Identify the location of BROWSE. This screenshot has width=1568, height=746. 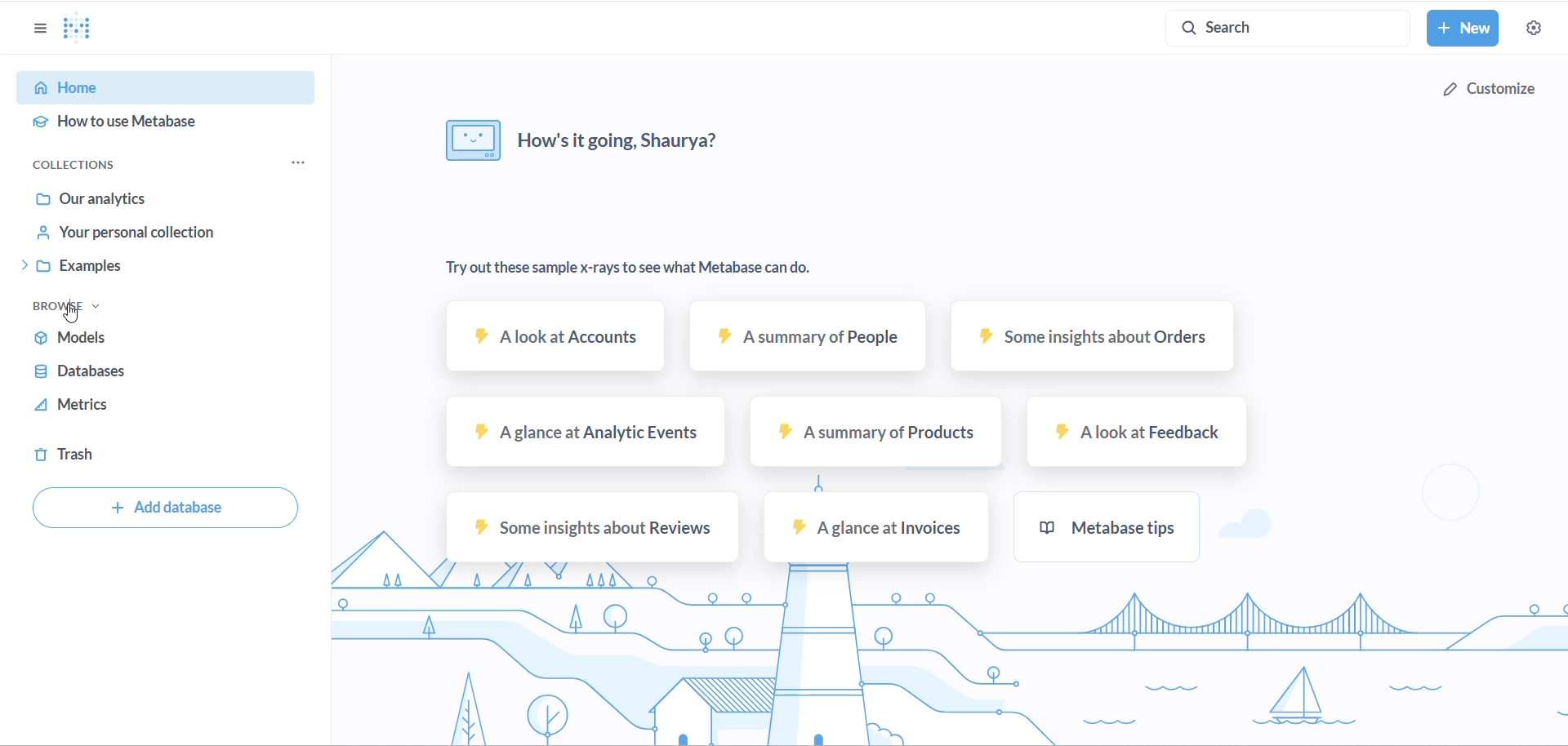
(61, 304).